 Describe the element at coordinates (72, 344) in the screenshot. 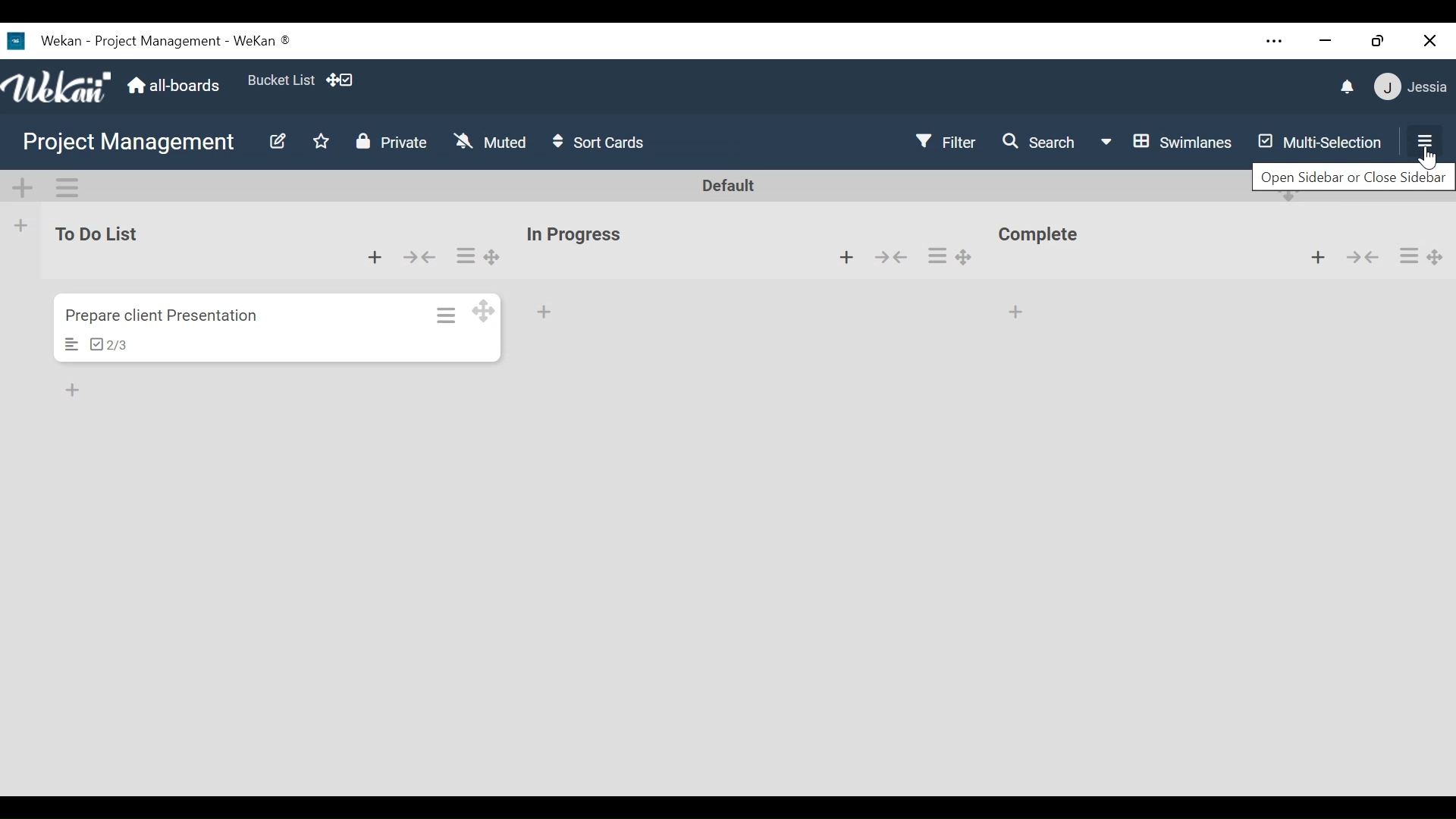

I see `Card description` at that location.